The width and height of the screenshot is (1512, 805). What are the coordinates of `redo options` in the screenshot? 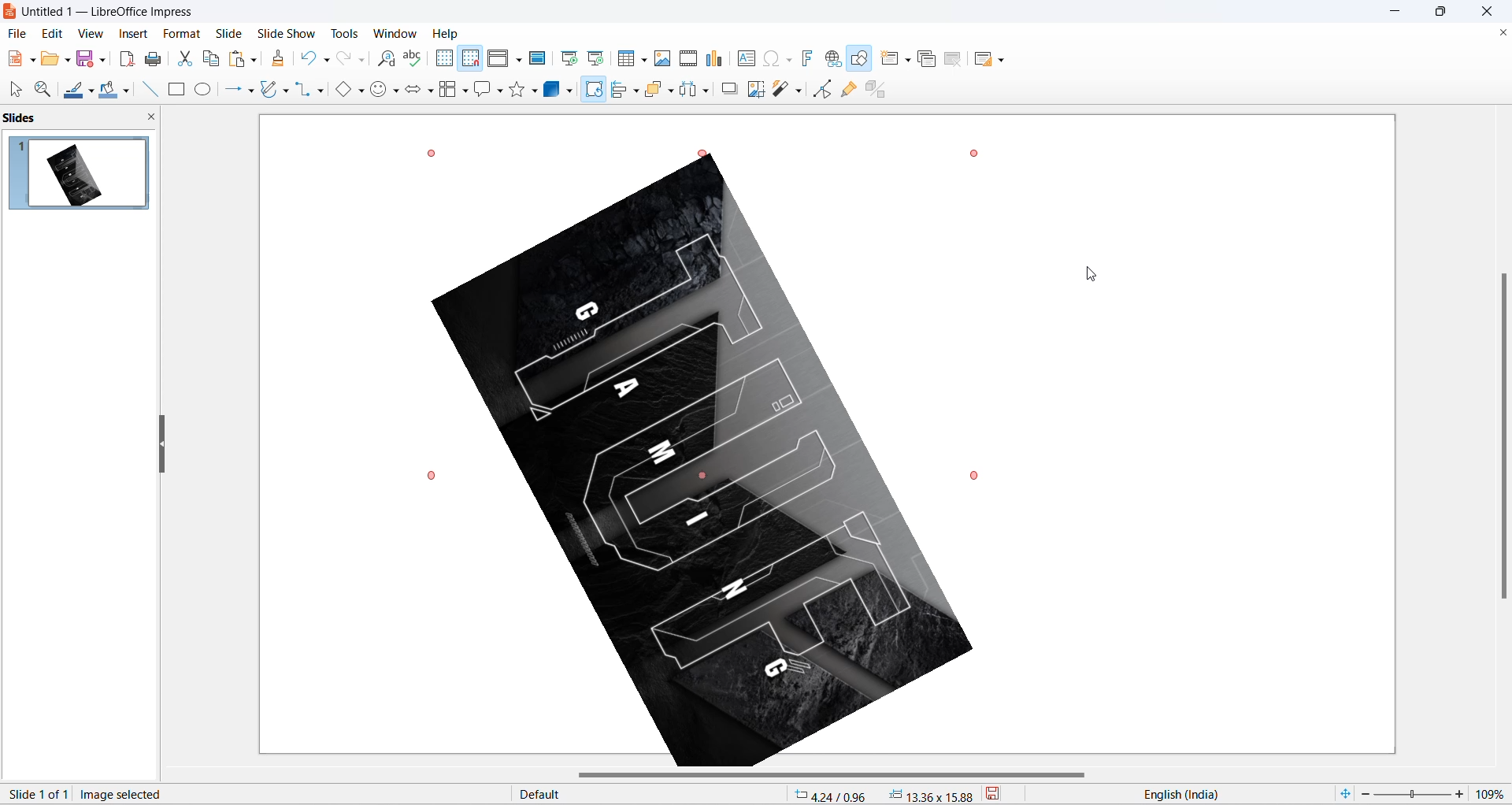 It's located at (363, 61).